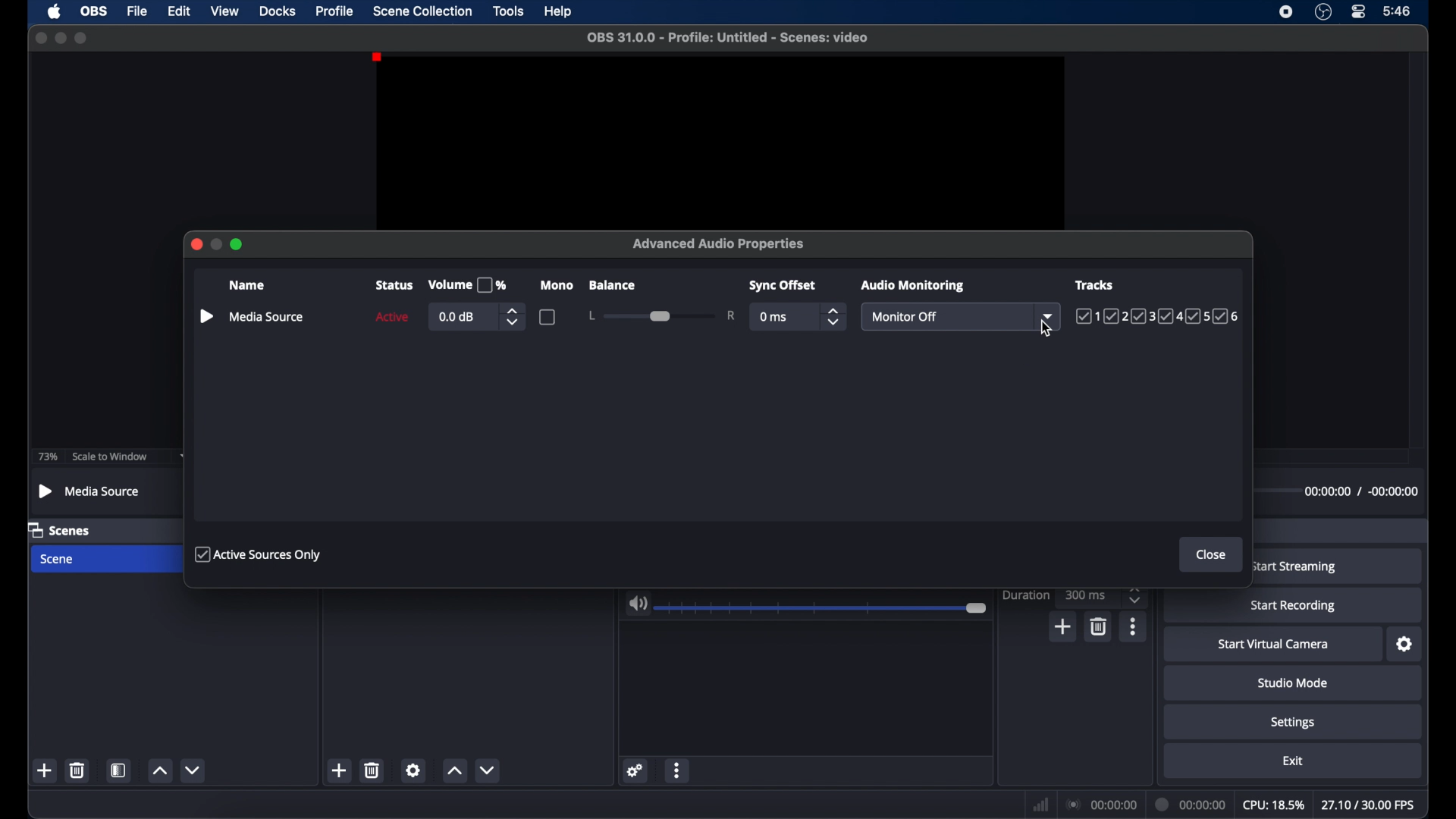 The width and height of the screenshot is (1456, 819). I want to click on media source, so click(90, 491).